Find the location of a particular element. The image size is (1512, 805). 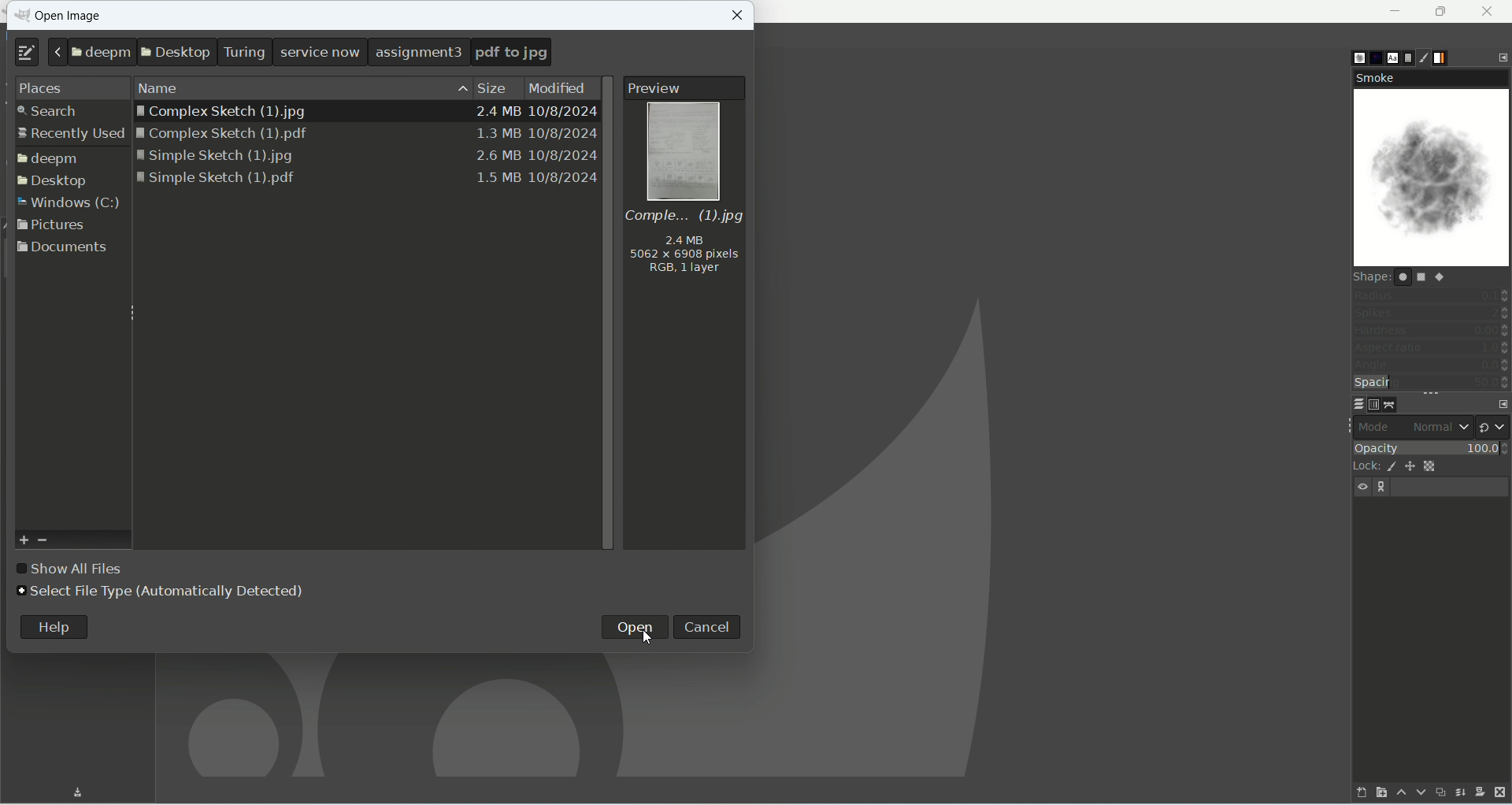

switch to another group is located at coordinates (1492, 426).